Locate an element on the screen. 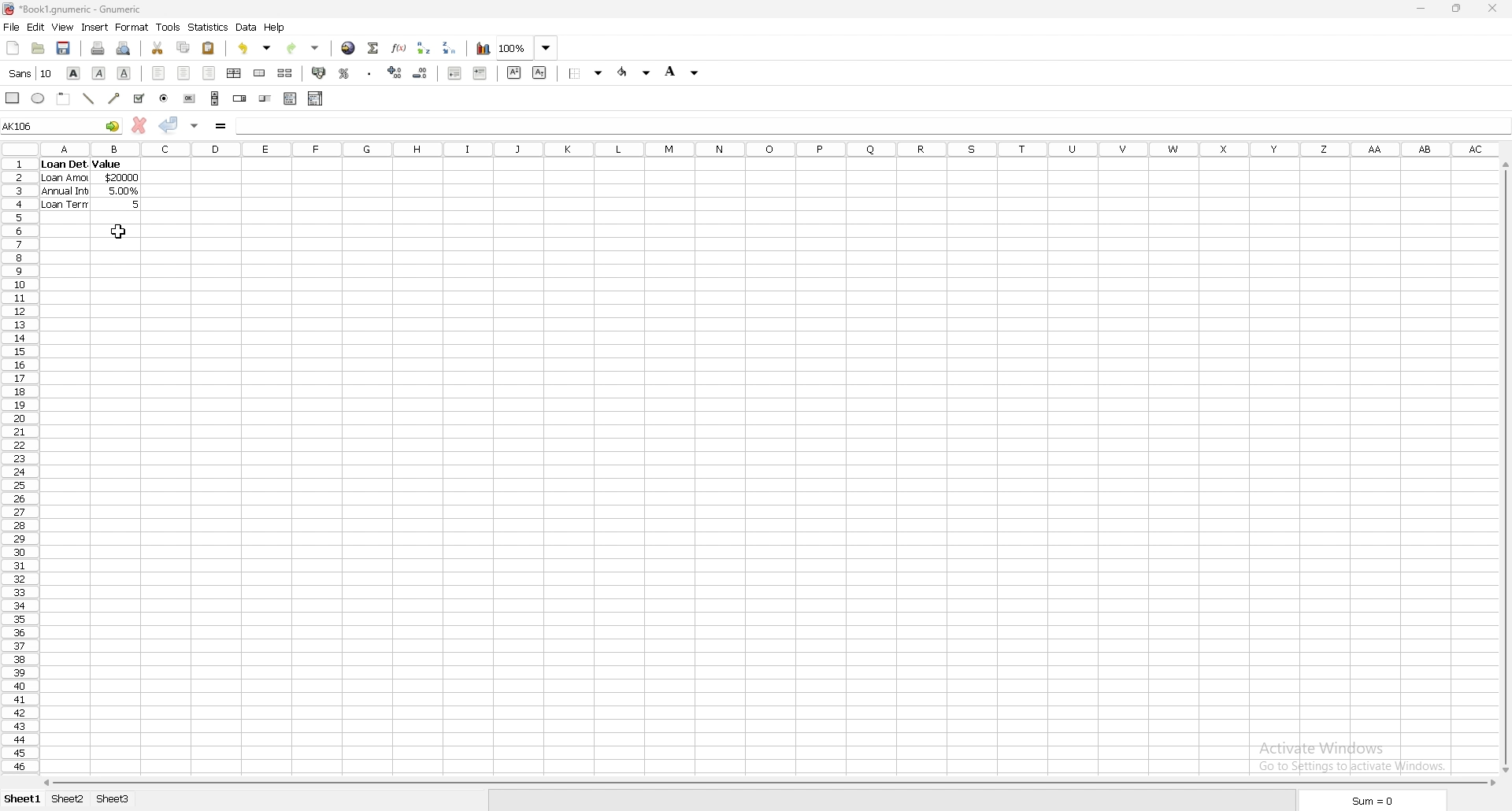 The height and width of the screenshot is (811, 1512). formula is located at coordinates (220, 127).